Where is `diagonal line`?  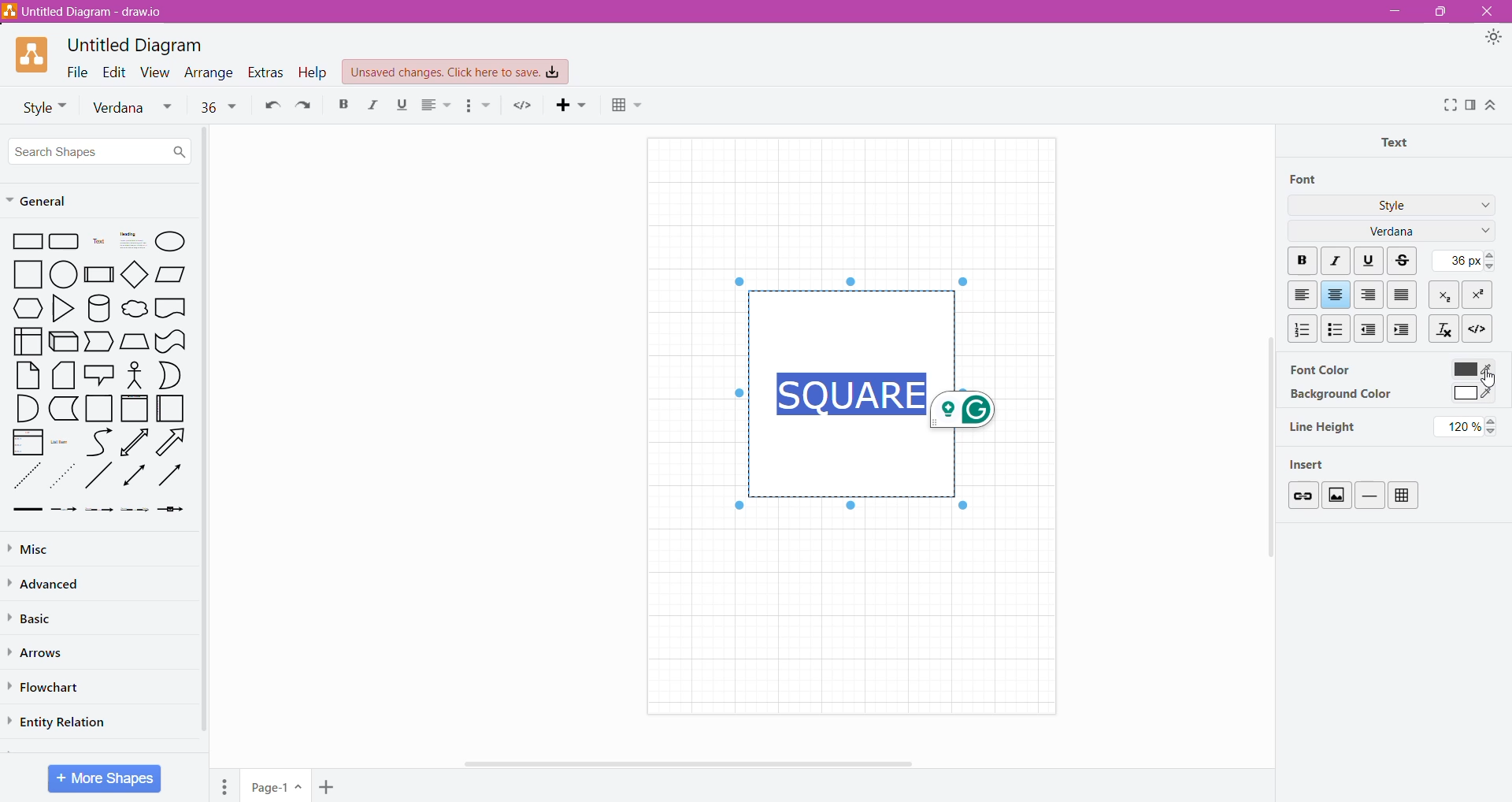 diagonal line is located at coordinates (100, 475).